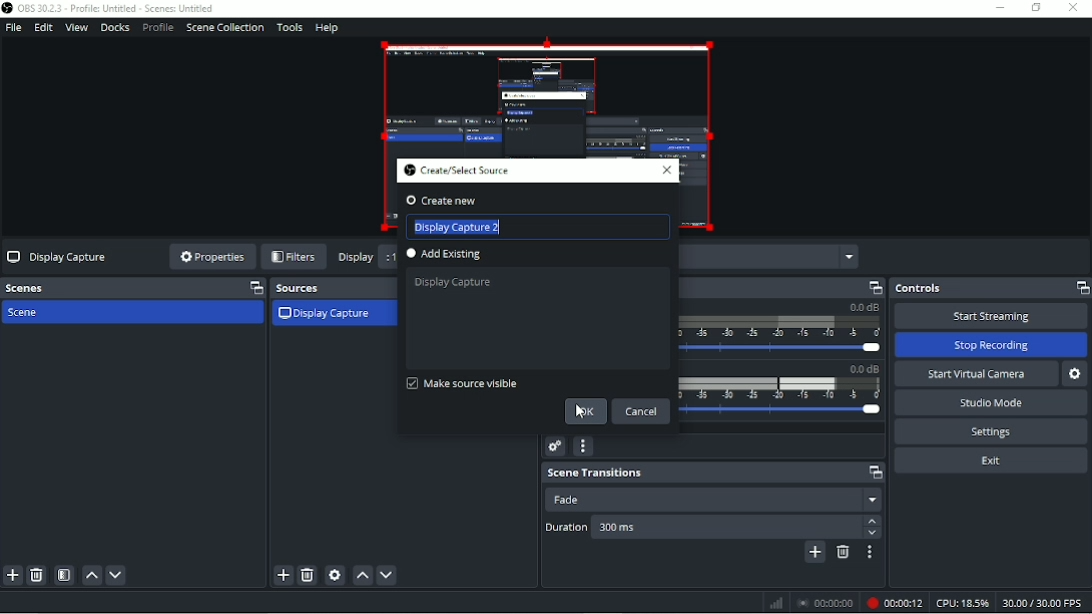 The image size is (1092, 614). Describe the element at coordinates (157, 27) in the screenshot. I see `Profile` at that location.